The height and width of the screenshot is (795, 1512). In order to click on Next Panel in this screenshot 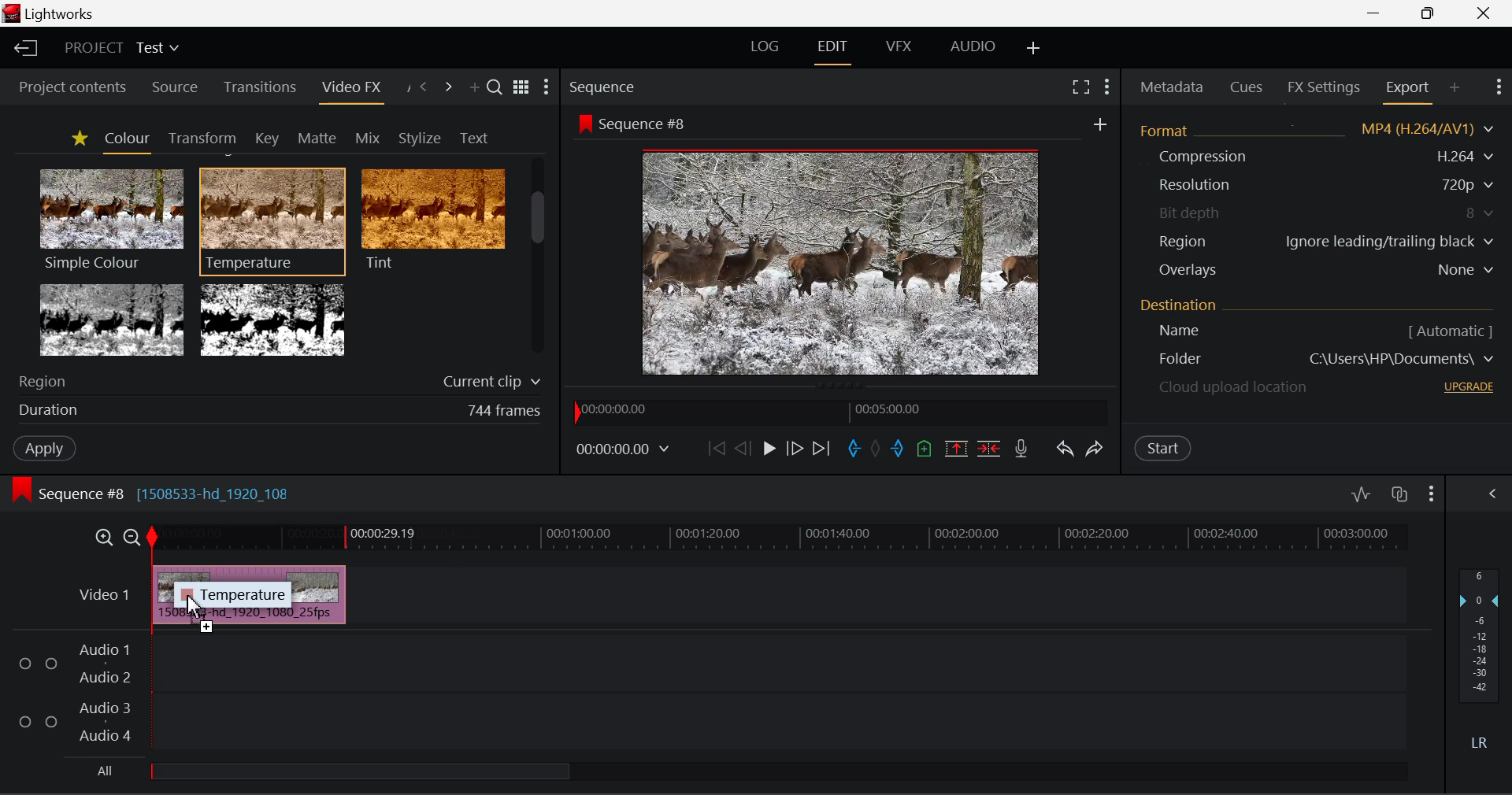, I will do `click(448, 86)`.